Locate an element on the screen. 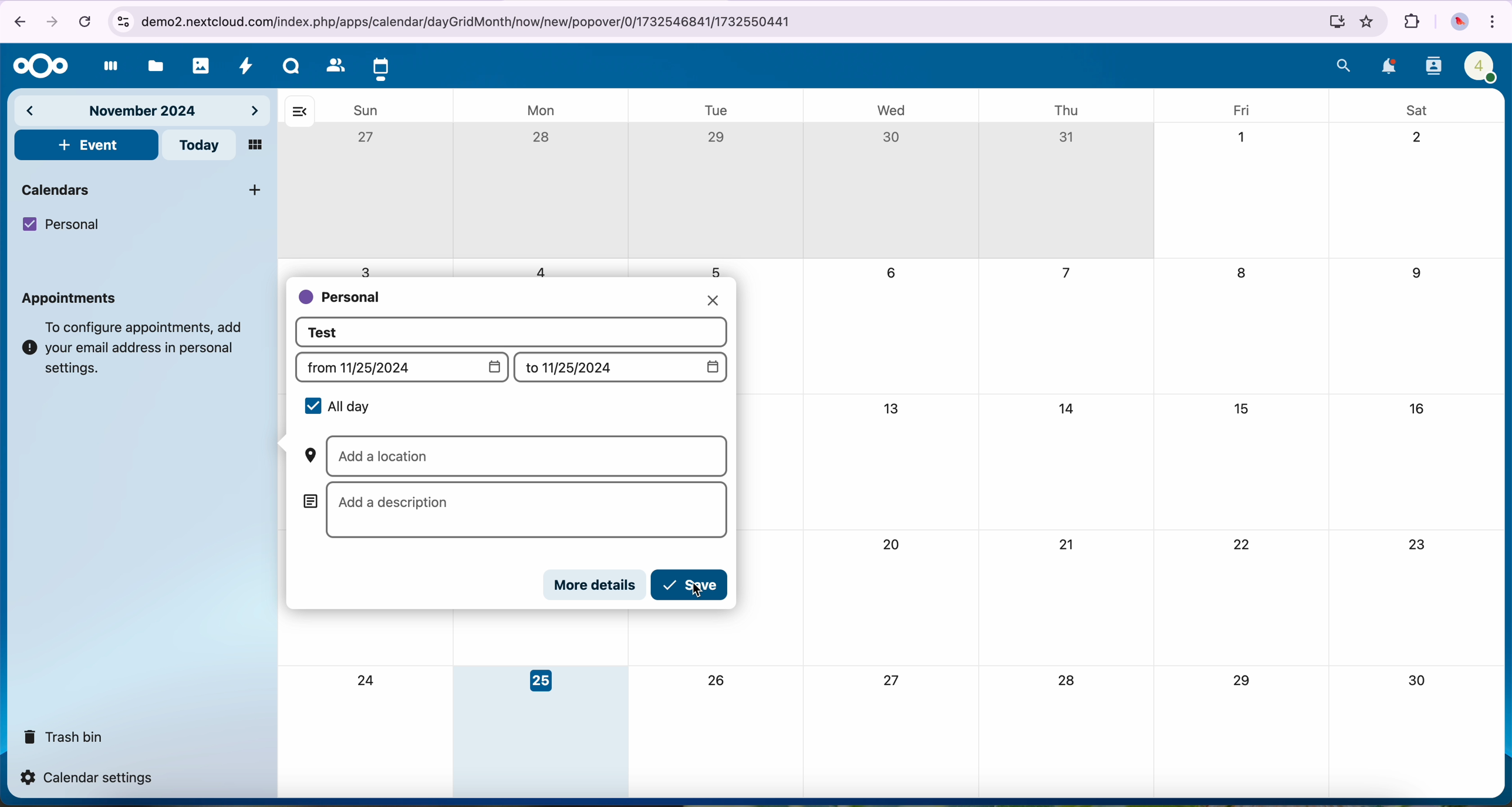  30 is located at coordinates (1416, 681).